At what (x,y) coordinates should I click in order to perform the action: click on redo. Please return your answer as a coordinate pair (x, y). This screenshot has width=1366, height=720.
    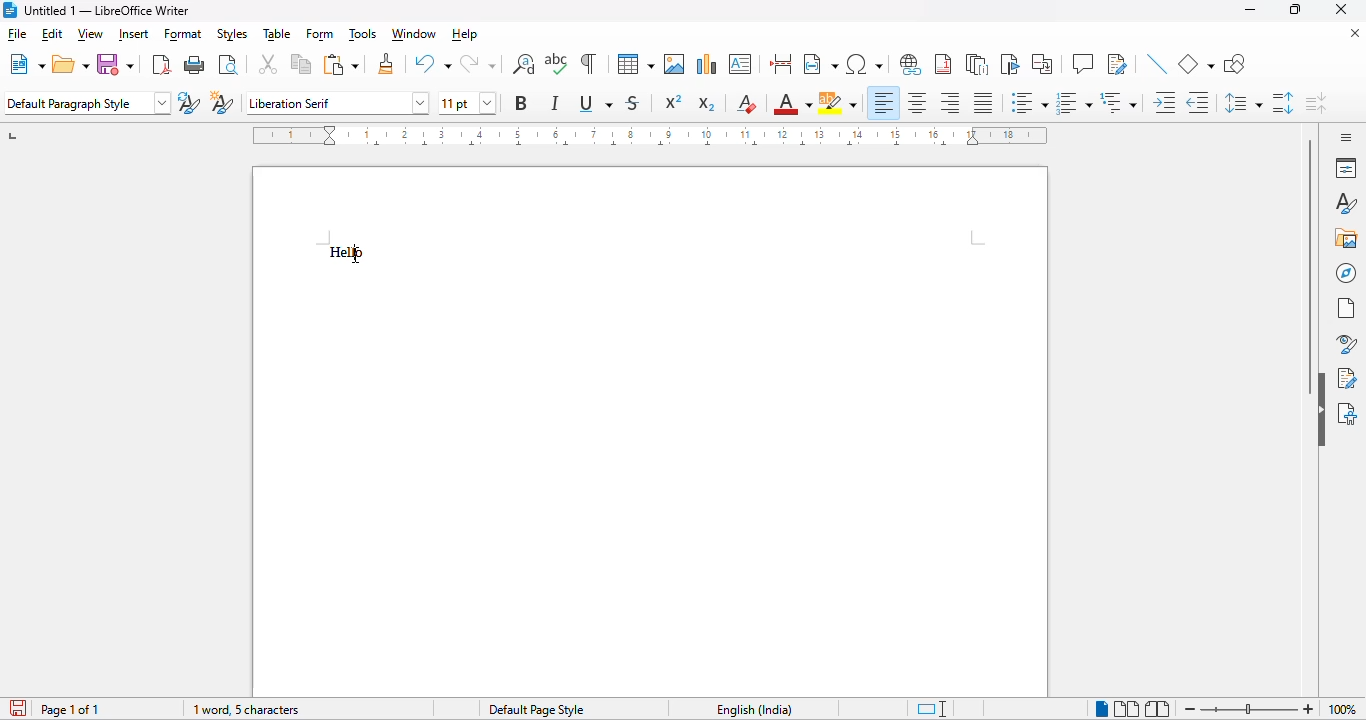
    Looking at the image, I should click on (480, 64).